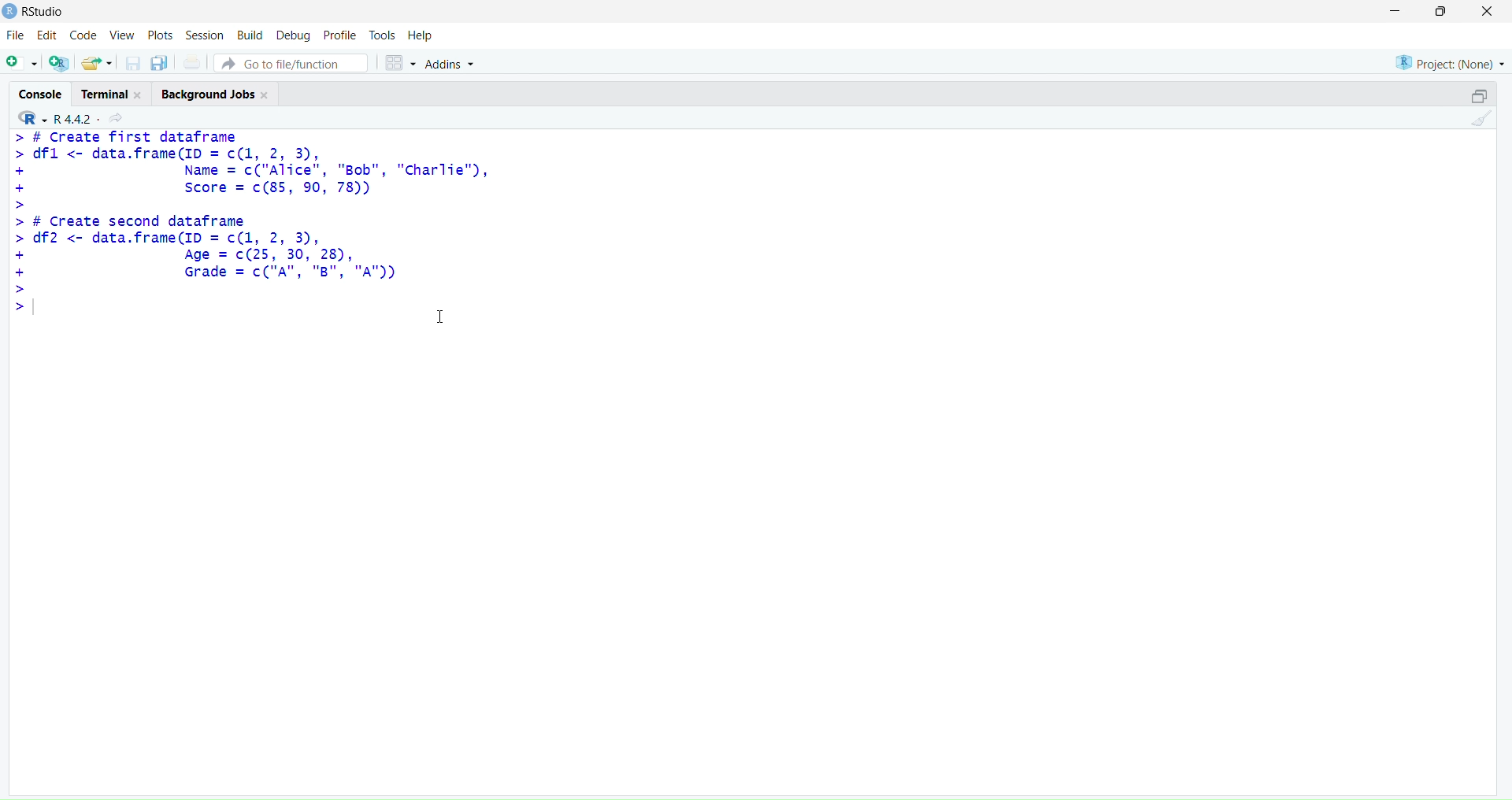 Image resolution: width=1512 pixels, height=800 pixels. What do you see at coordinates (441, 317) in the screenshot?
I see `cursor` at bounding box center [441, 317].